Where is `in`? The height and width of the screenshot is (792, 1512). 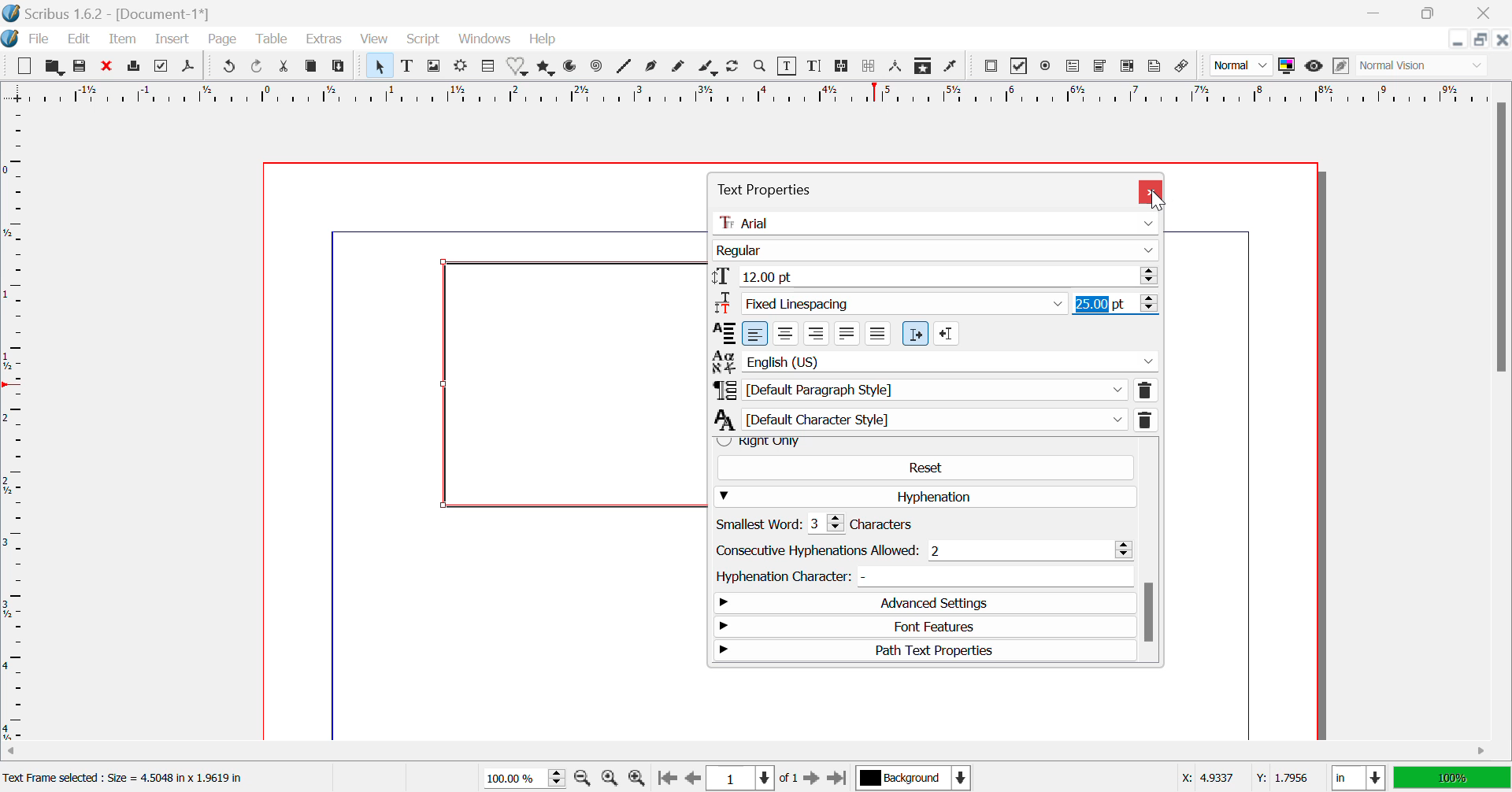 in is located at coordinates (1354, 778).